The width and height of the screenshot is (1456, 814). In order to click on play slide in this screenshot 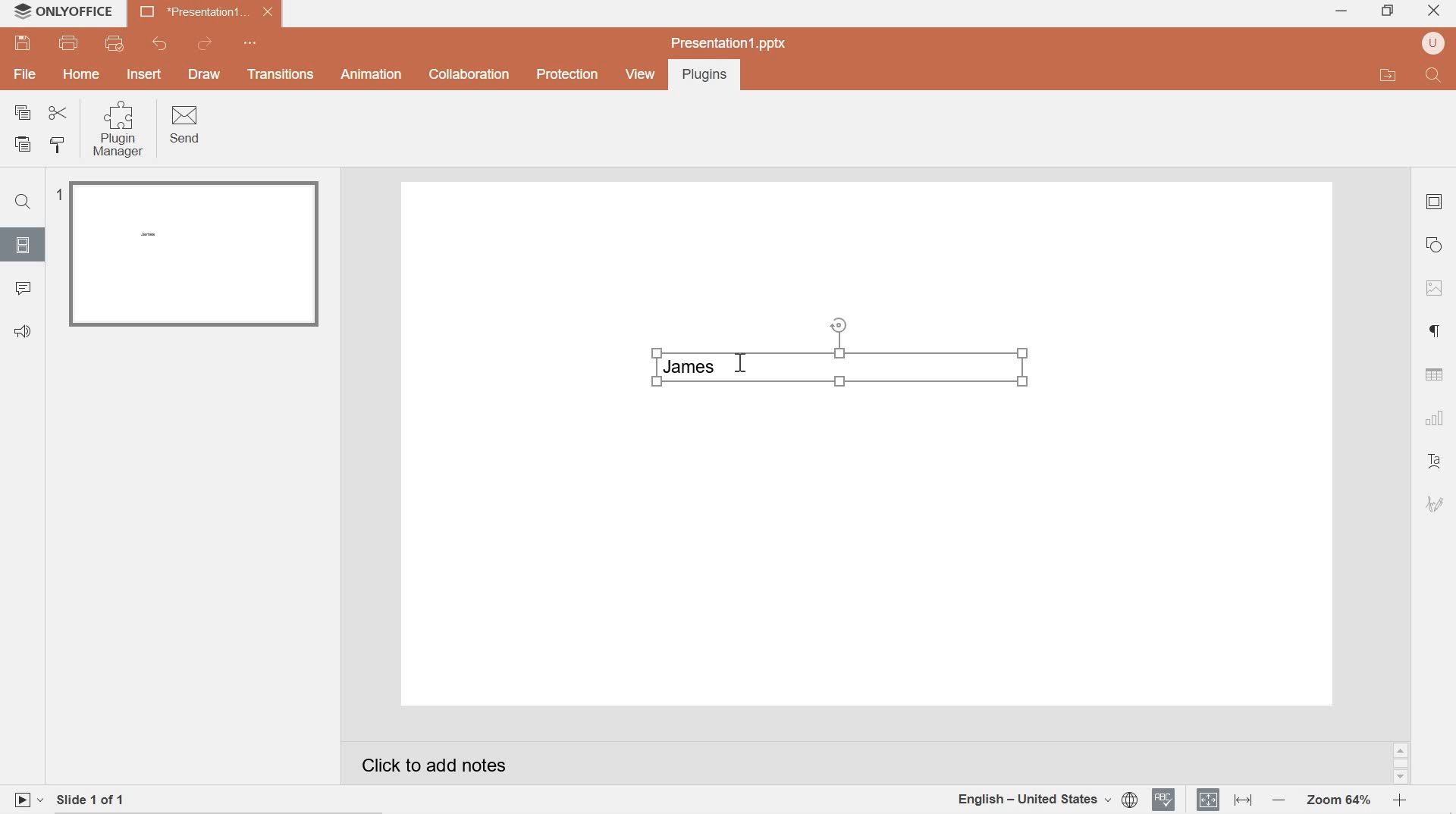, I will do `click(27, 799)`.